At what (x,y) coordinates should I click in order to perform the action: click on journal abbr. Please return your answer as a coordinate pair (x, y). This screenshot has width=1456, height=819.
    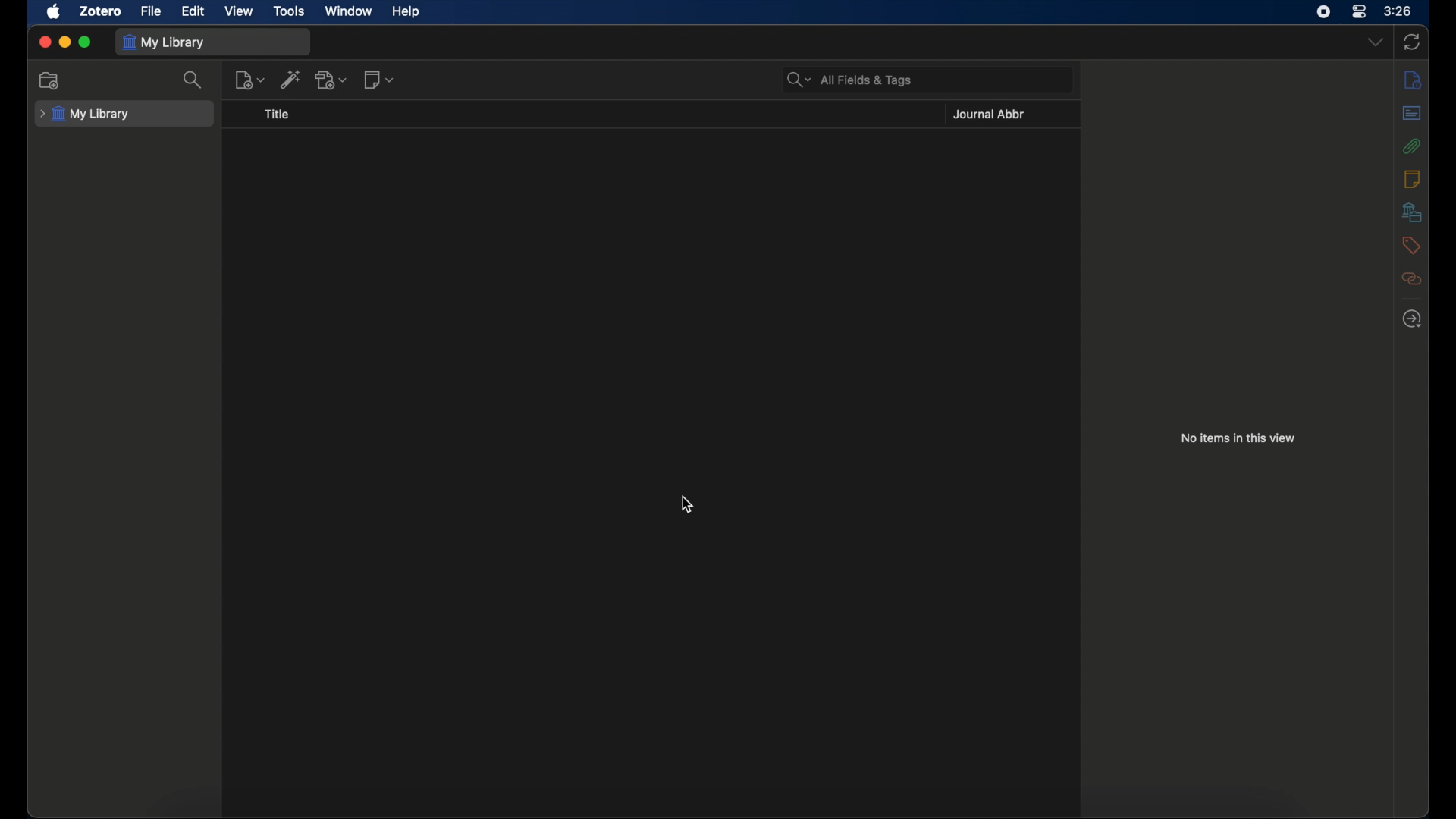
    Looking at the image, I should click on (989, 115).